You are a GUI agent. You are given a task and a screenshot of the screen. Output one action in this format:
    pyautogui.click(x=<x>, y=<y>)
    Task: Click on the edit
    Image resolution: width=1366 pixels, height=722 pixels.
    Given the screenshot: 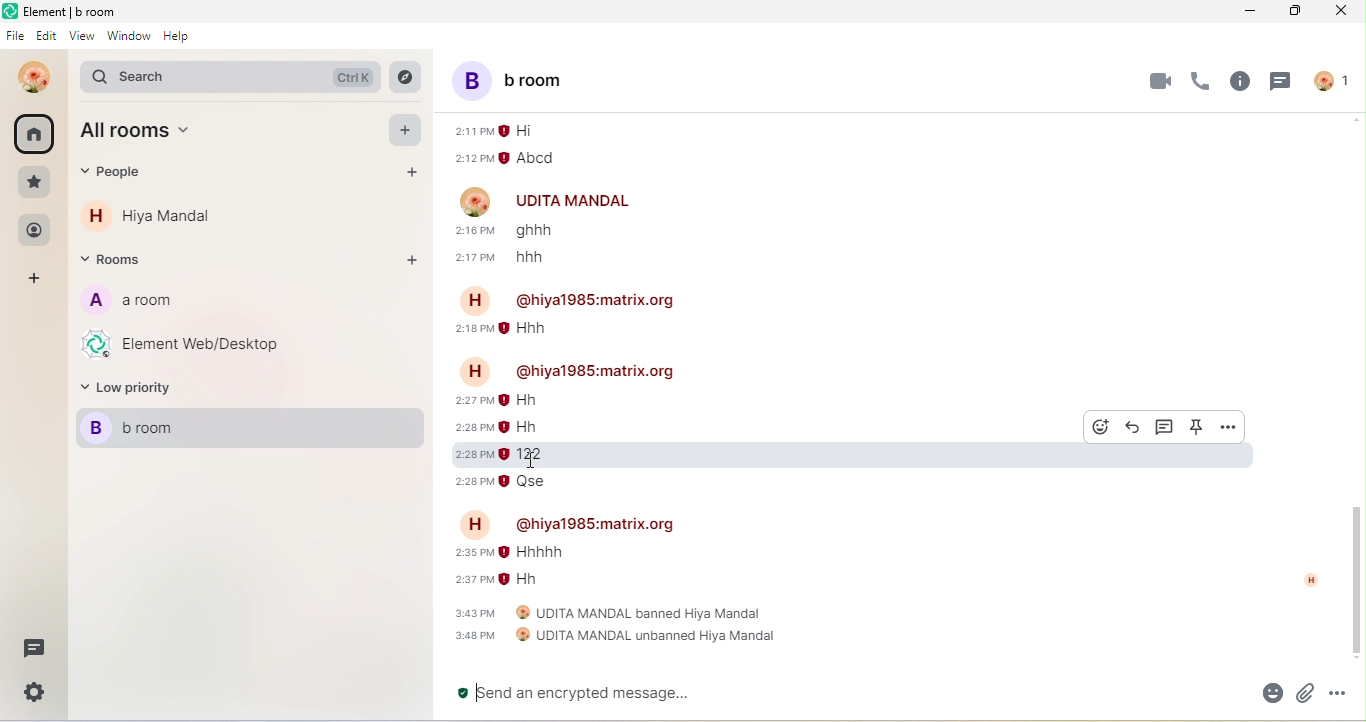 What is the action you would take?
    pyautogui.click(x=47, y=38)
    